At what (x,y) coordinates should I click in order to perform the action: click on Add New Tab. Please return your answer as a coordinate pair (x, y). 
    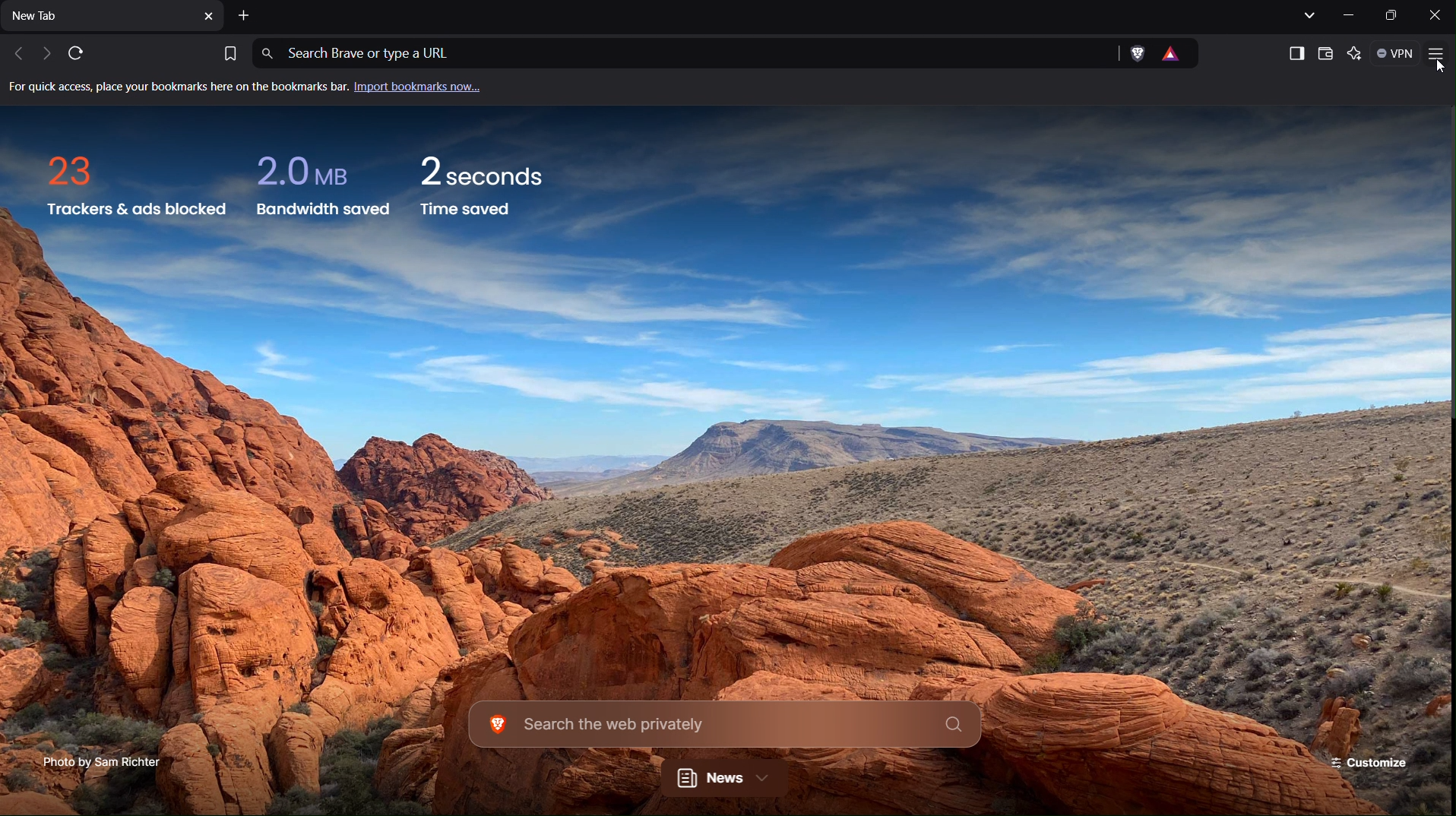
    Looking at the image, I should click on (246, 14).